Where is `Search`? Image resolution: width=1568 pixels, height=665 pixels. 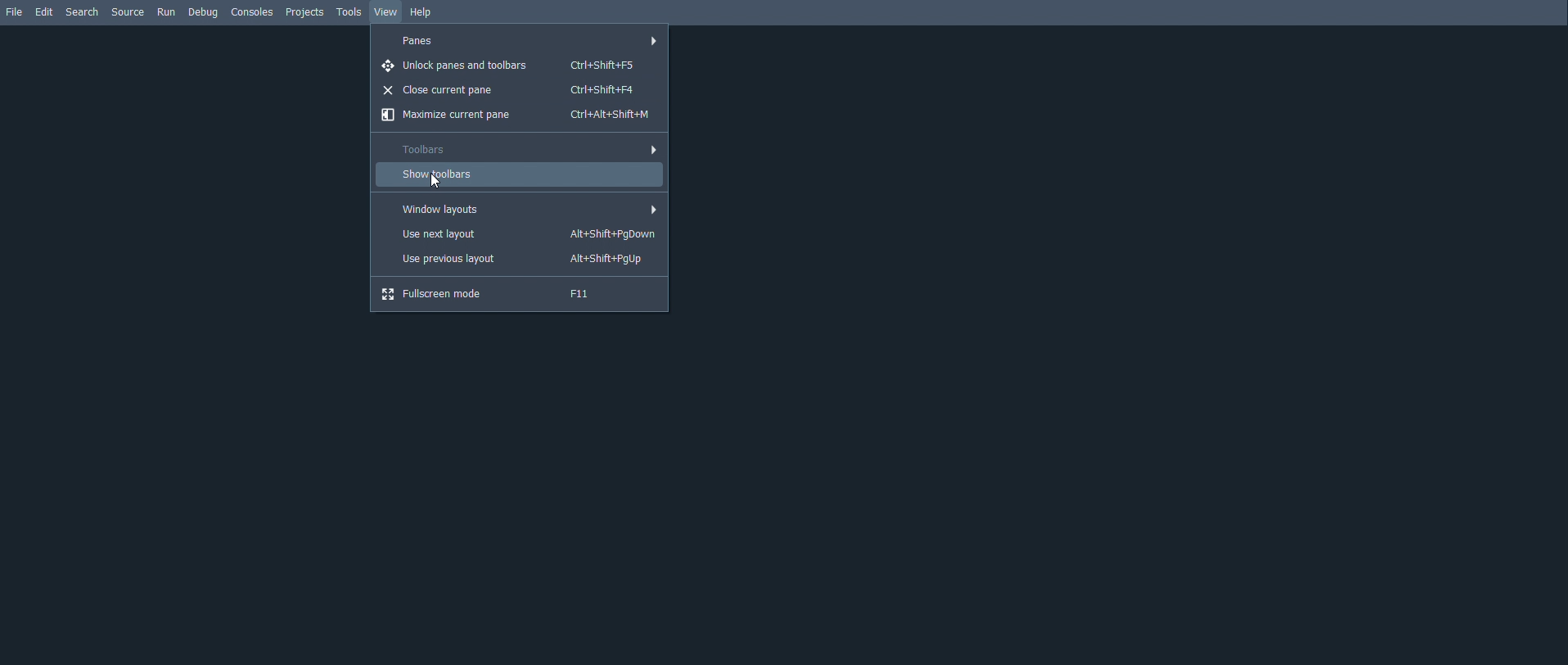 Search is located at coordinates (86, 13).